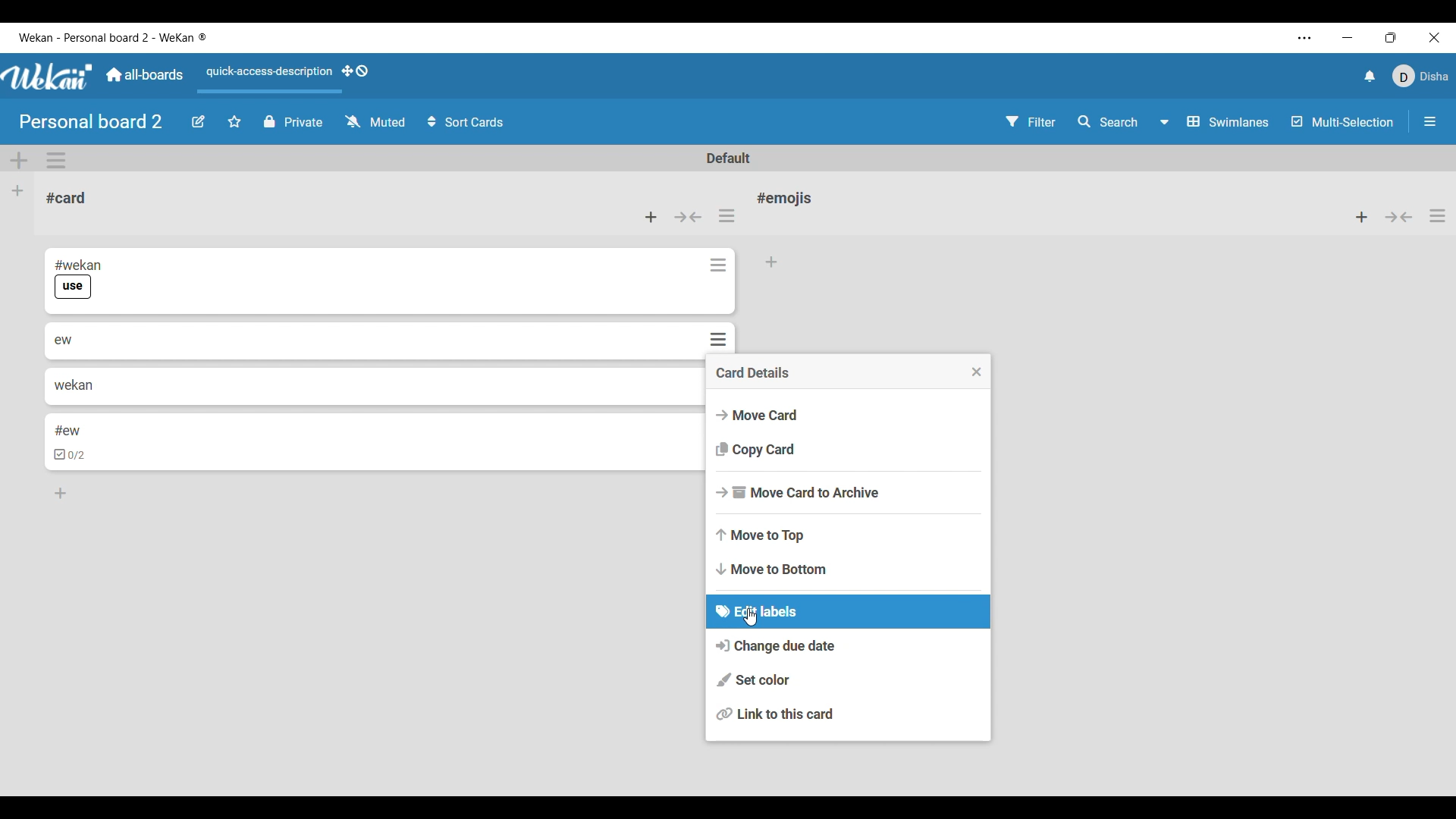 The image size is (1456, 819). What do you see at coordinates (847, 680) in the screenshot?
I see `Set color` at bounding box center [847, 680].